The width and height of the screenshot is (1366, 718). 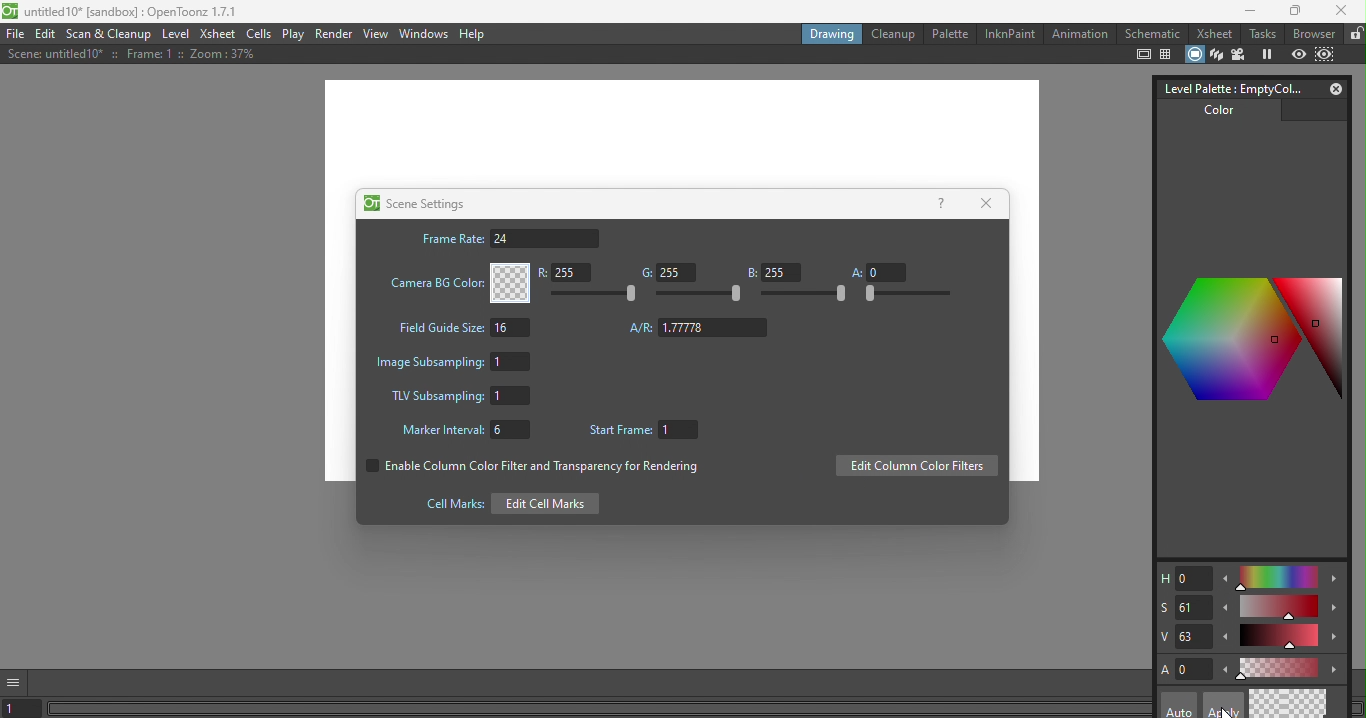 What do you see at coordinates (1335, 612) in the screenshot?
I see `` at bounding box center [1335, 612].